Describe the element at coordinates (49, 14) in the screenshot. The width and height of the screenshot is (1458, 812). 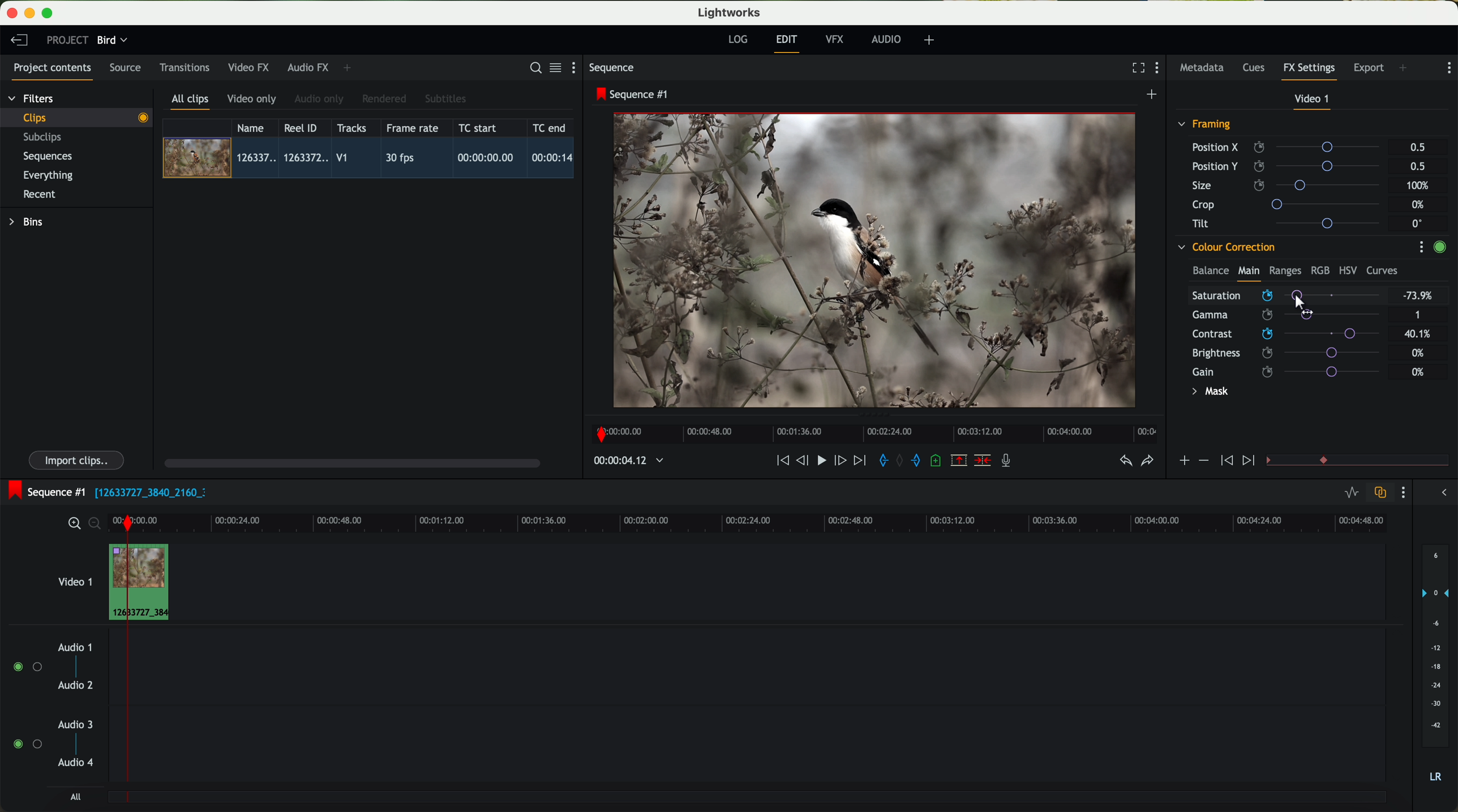
I see `maximize program` at that location.